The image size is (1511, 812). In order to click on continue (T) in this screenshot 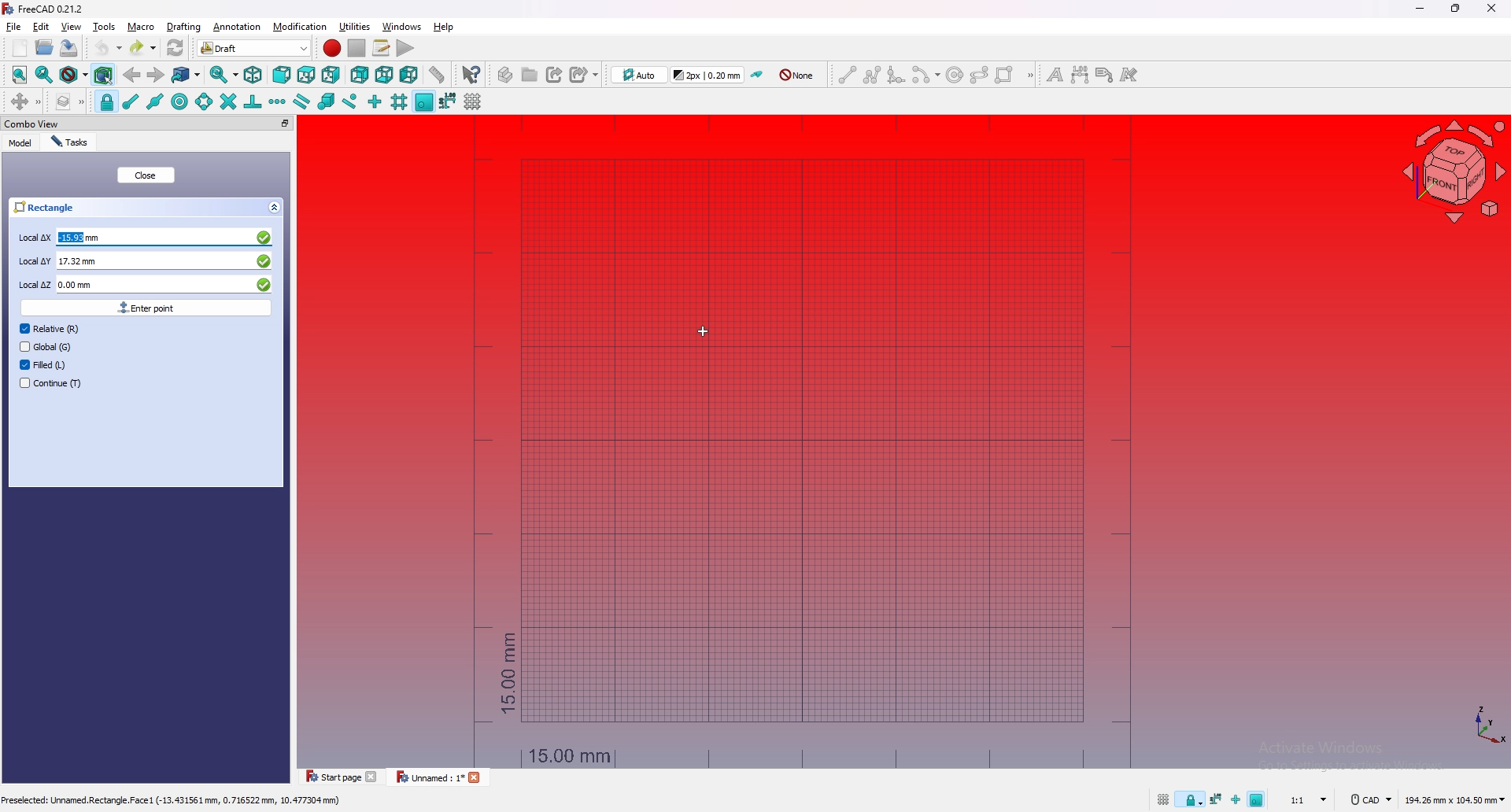, I will do `click(51, 382)`.